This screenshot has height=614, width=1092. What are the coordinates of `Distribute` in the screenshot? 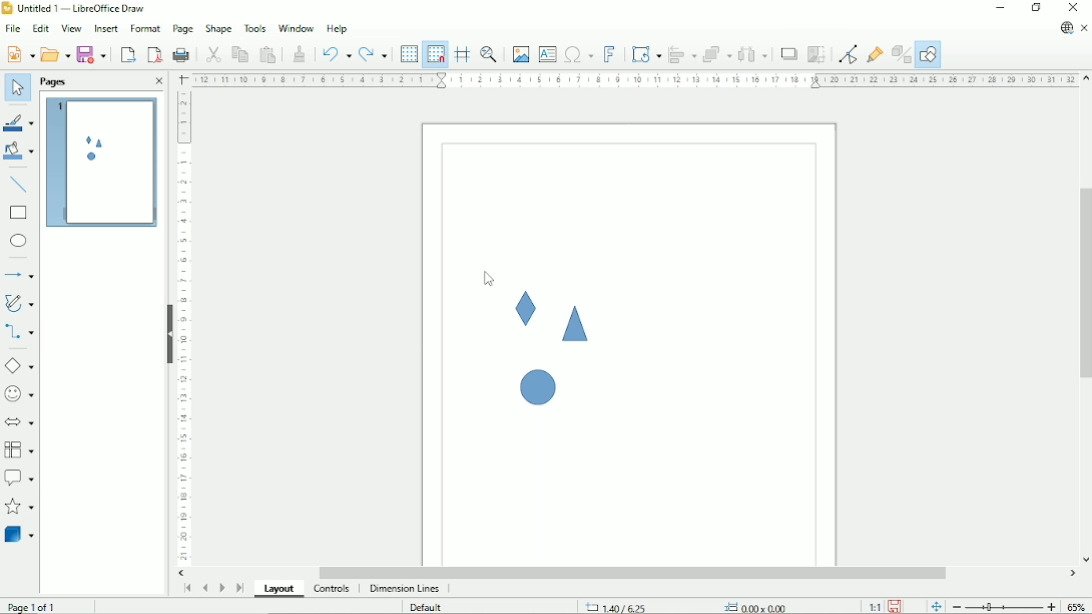 It's located at (753, 54).